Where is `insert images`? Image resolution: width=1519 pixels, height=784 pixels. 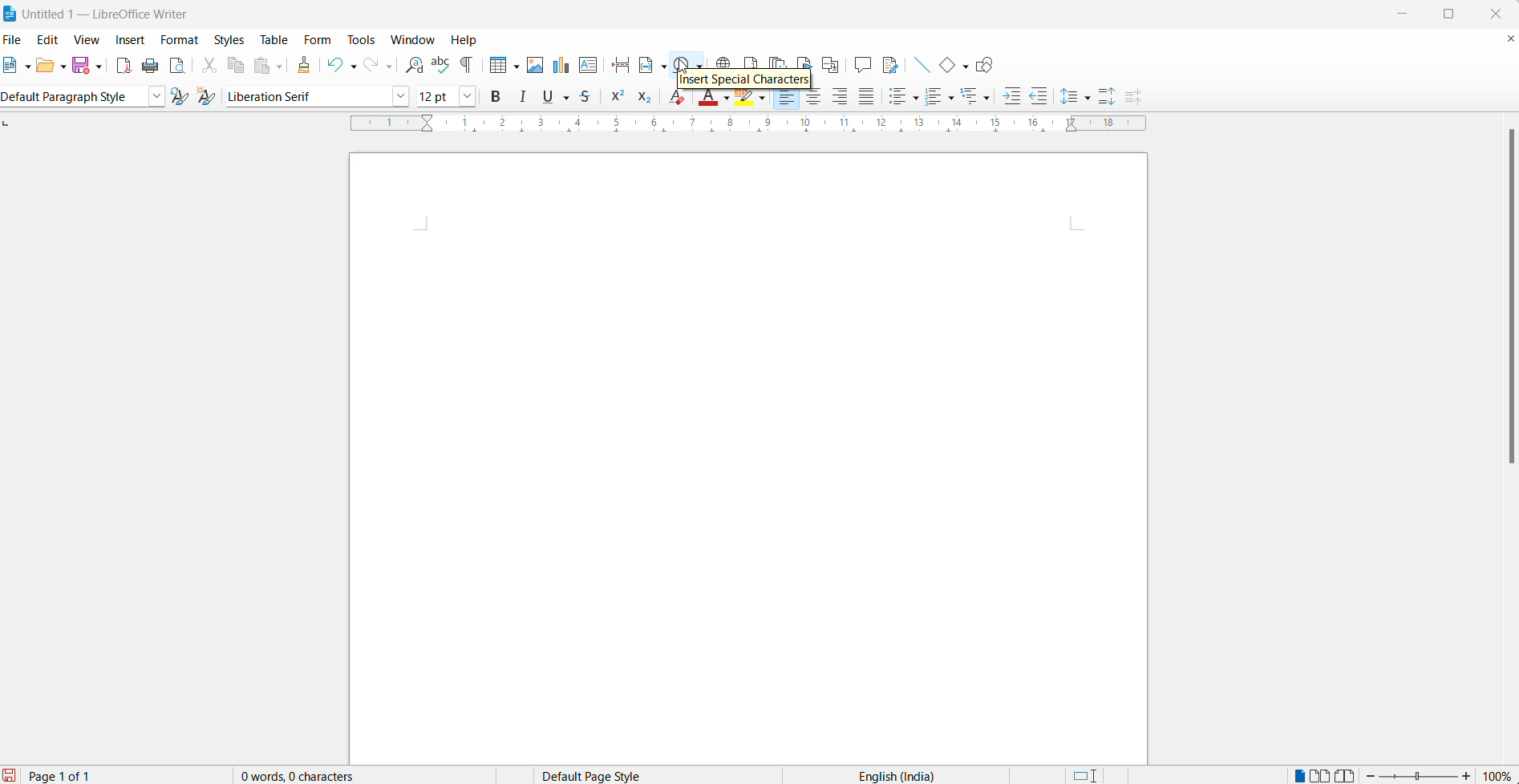
insert images is located at coordinates (534, 66).